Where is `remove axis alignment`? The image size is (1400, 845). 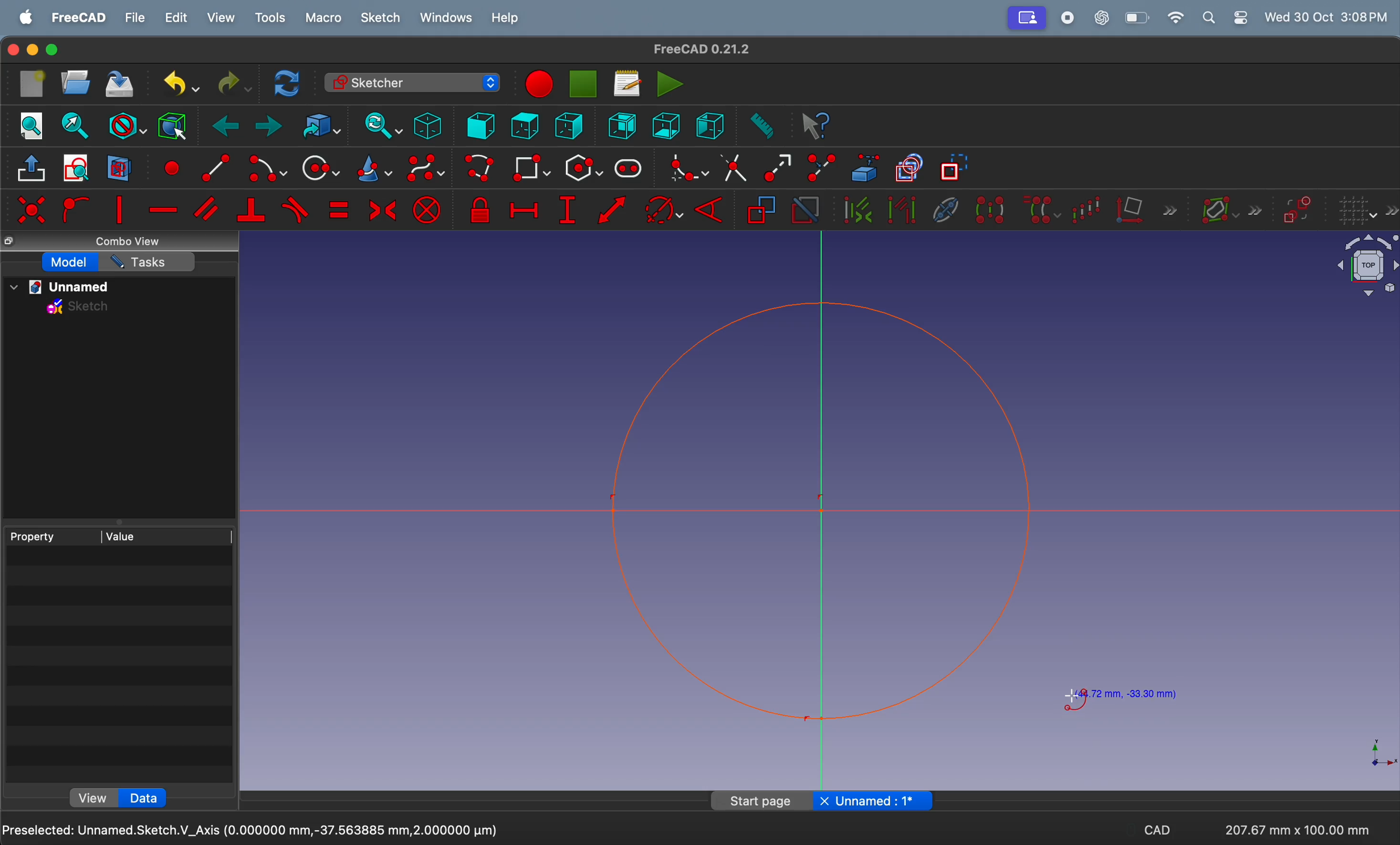
remove axis alignment is located at coordinates (1147, 209).